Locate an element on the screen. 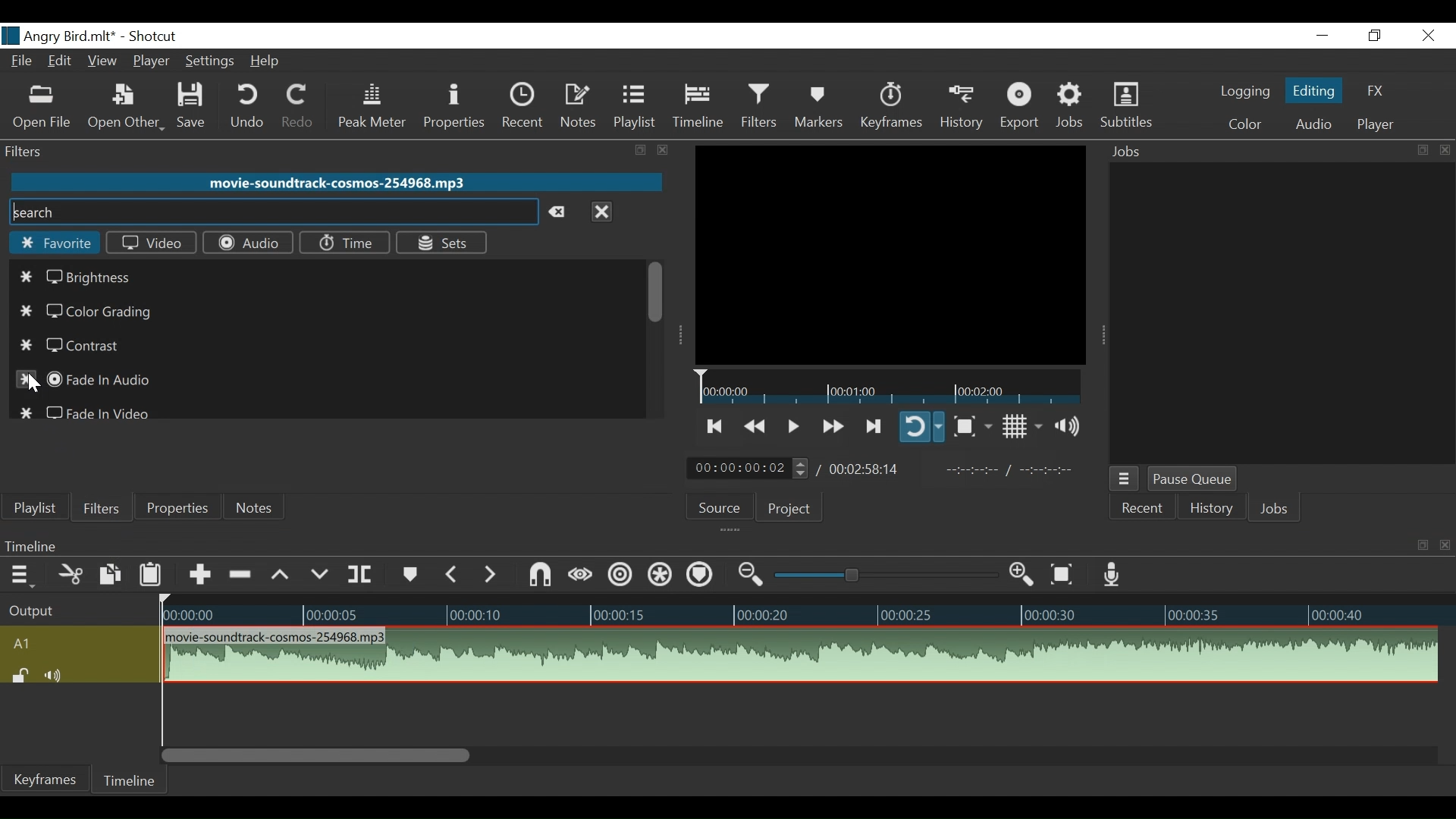 The height and width of the screenshot is (819, 1456). Help is located at coordinates (266, 61).